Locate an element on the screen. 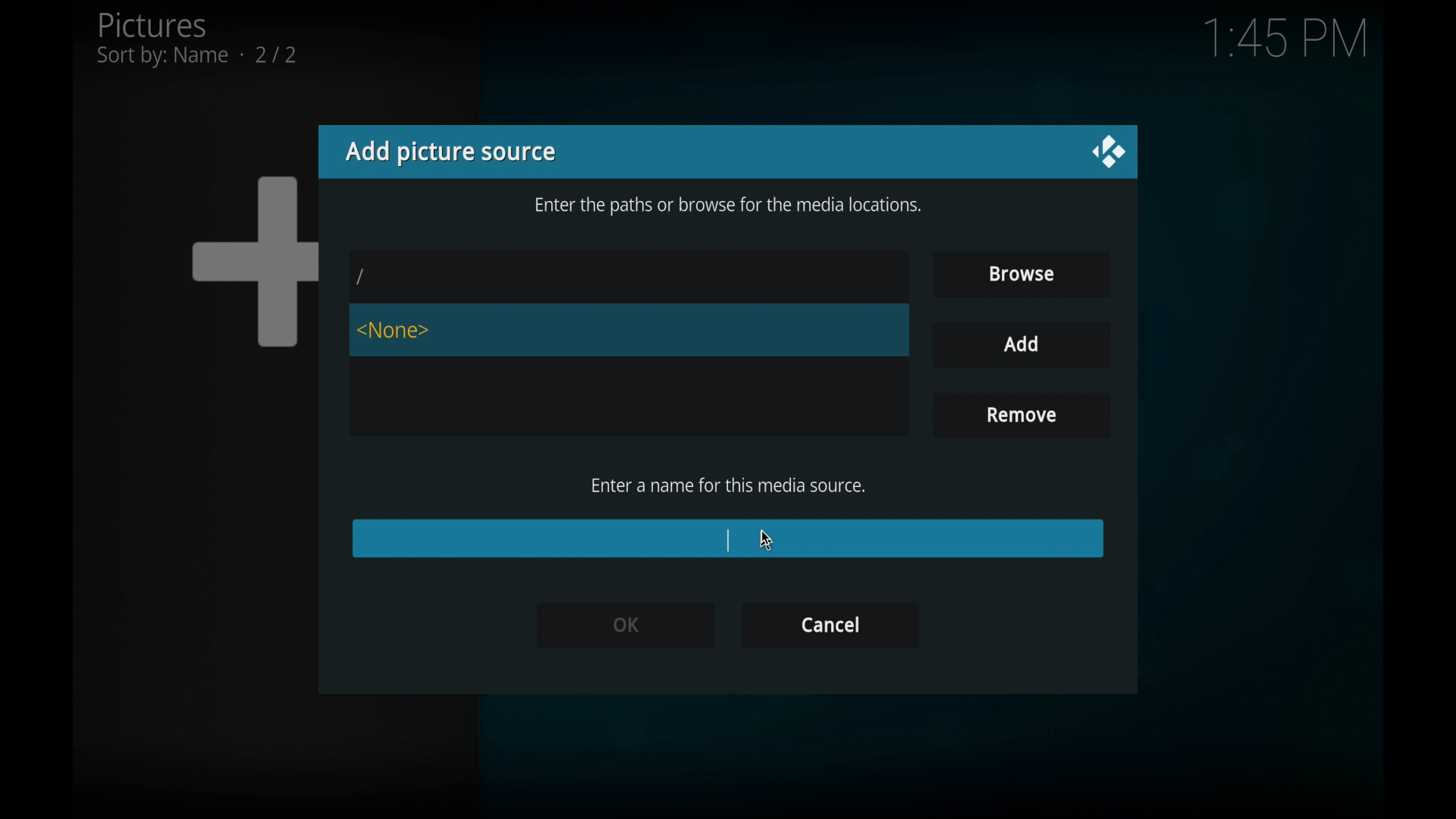 This screenshot has height=819, width=1456. slash icon is located at coordinates (362, 278).